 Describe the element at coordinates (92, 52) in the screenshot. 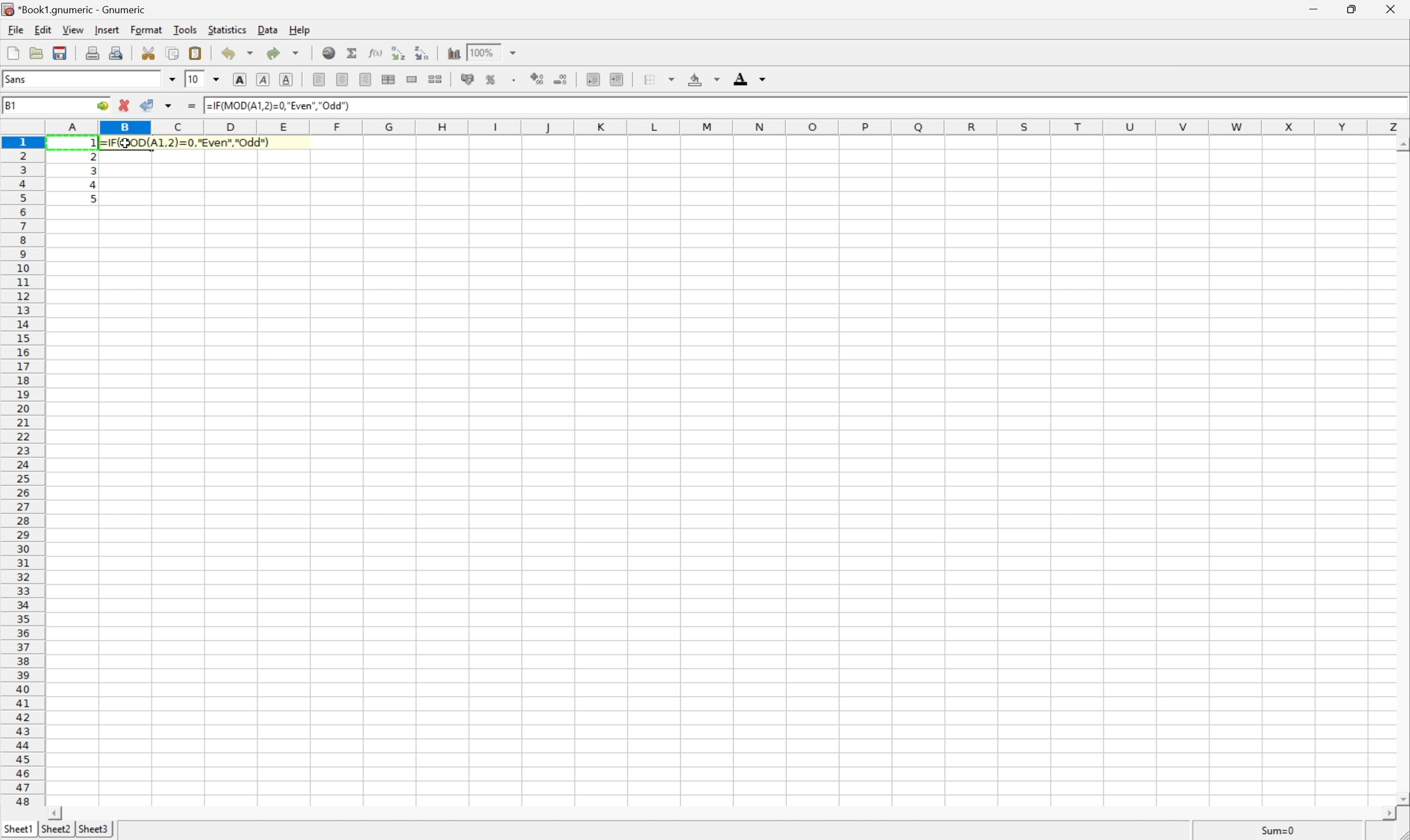

I see `Print current file` at that location.